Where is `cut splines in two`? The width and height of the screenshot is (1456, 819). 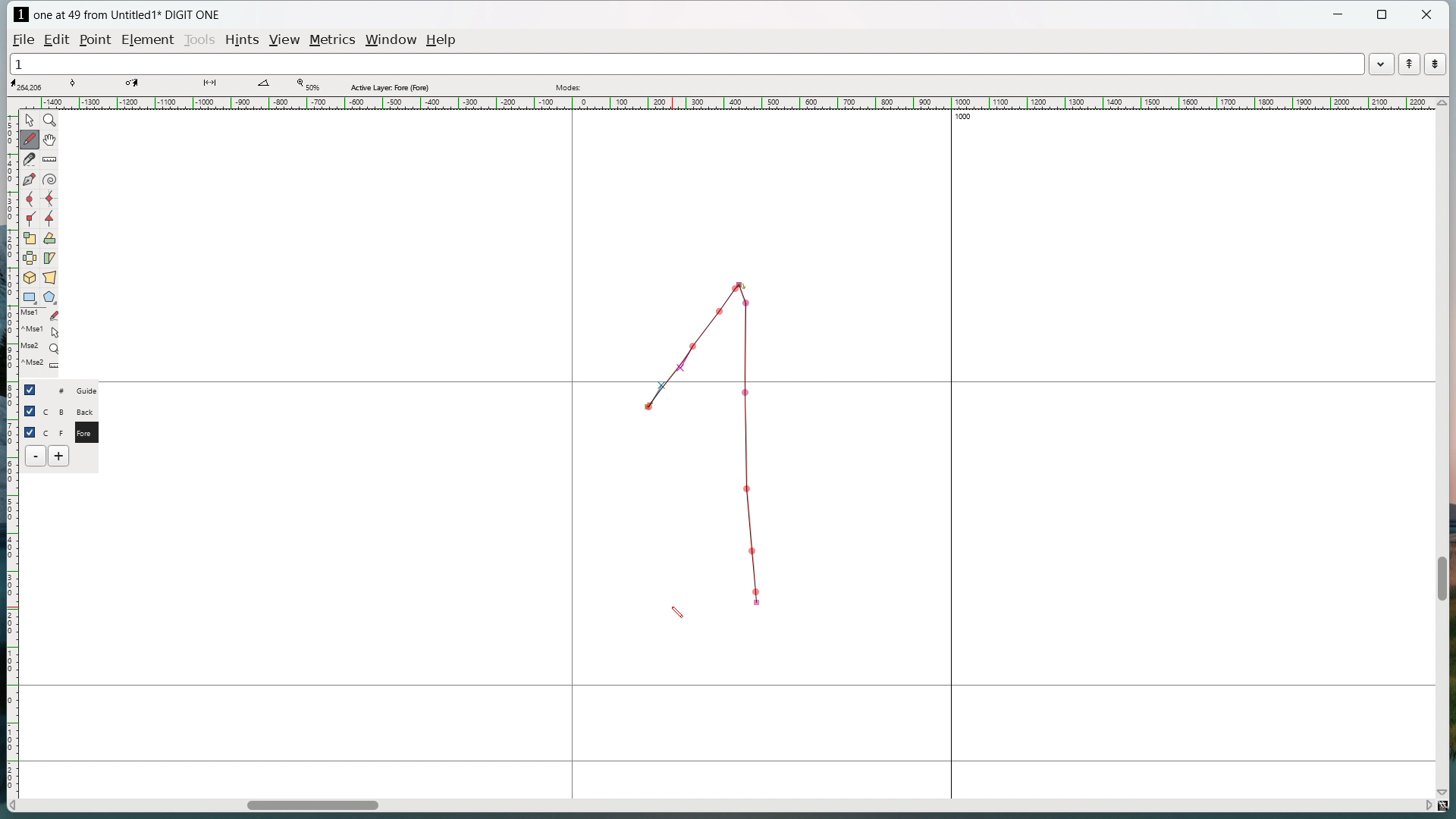 cut splines in two is located at coordinates (30, 159).